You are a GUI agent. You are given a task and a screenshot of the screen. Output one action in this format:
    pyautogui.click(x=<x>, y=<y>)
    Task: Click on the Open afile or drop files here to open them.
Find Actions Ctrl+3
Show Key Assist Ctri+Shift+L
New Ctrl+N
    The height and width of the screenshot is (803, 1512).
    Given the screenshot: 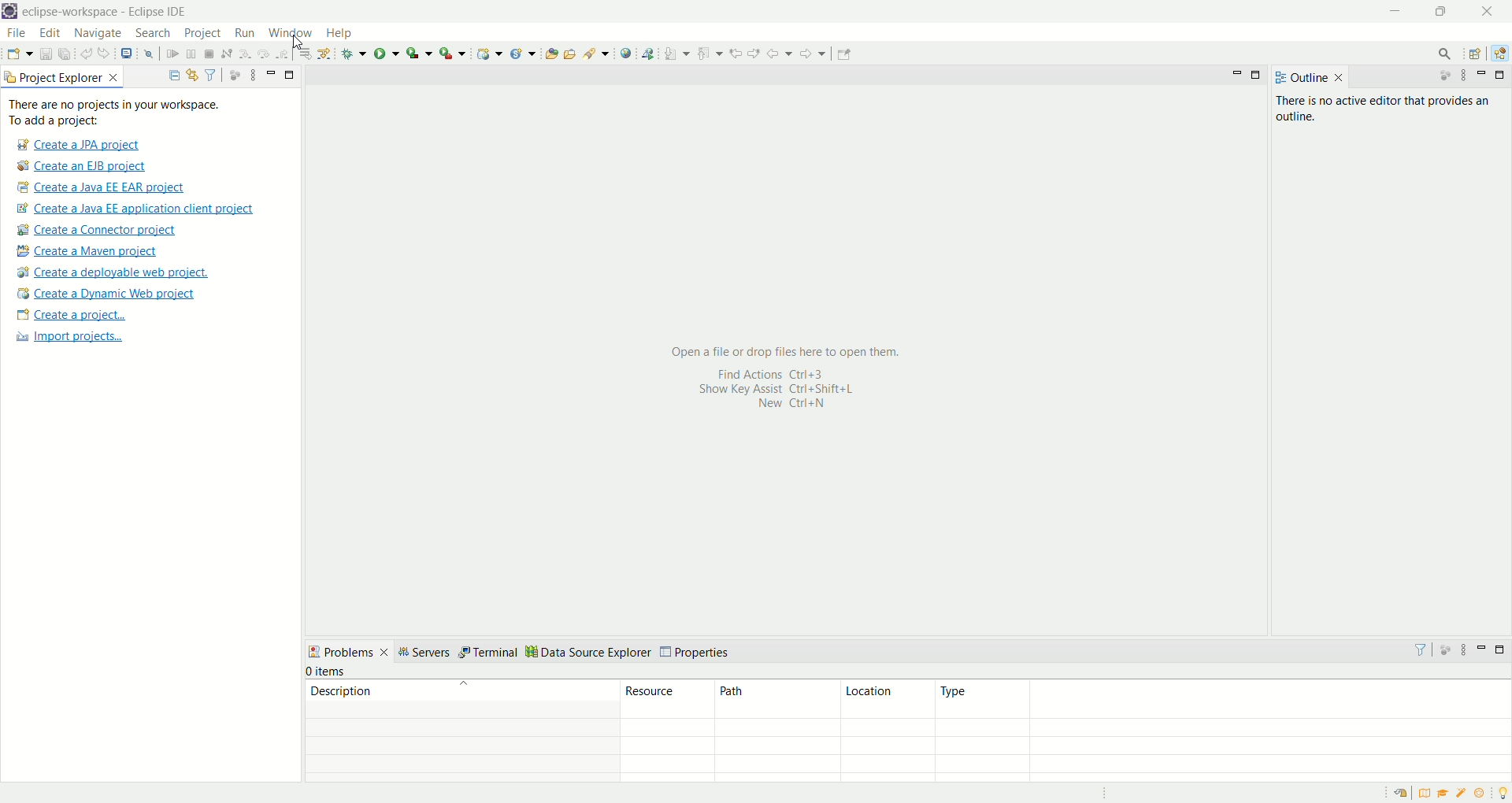 What is the action you would take?
    pyautogui.click(x=780, y=377)
    